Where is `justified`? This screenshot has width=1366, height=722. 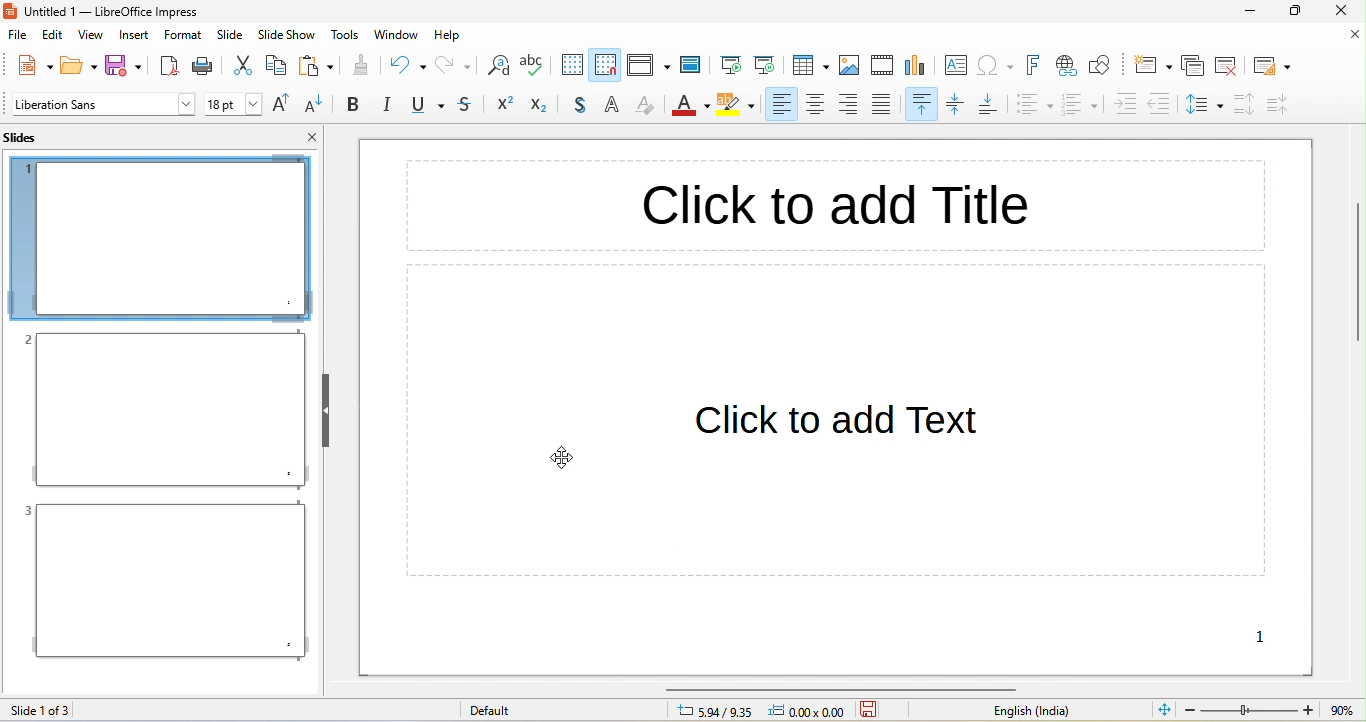
justified is located at coordinates (888, 105).